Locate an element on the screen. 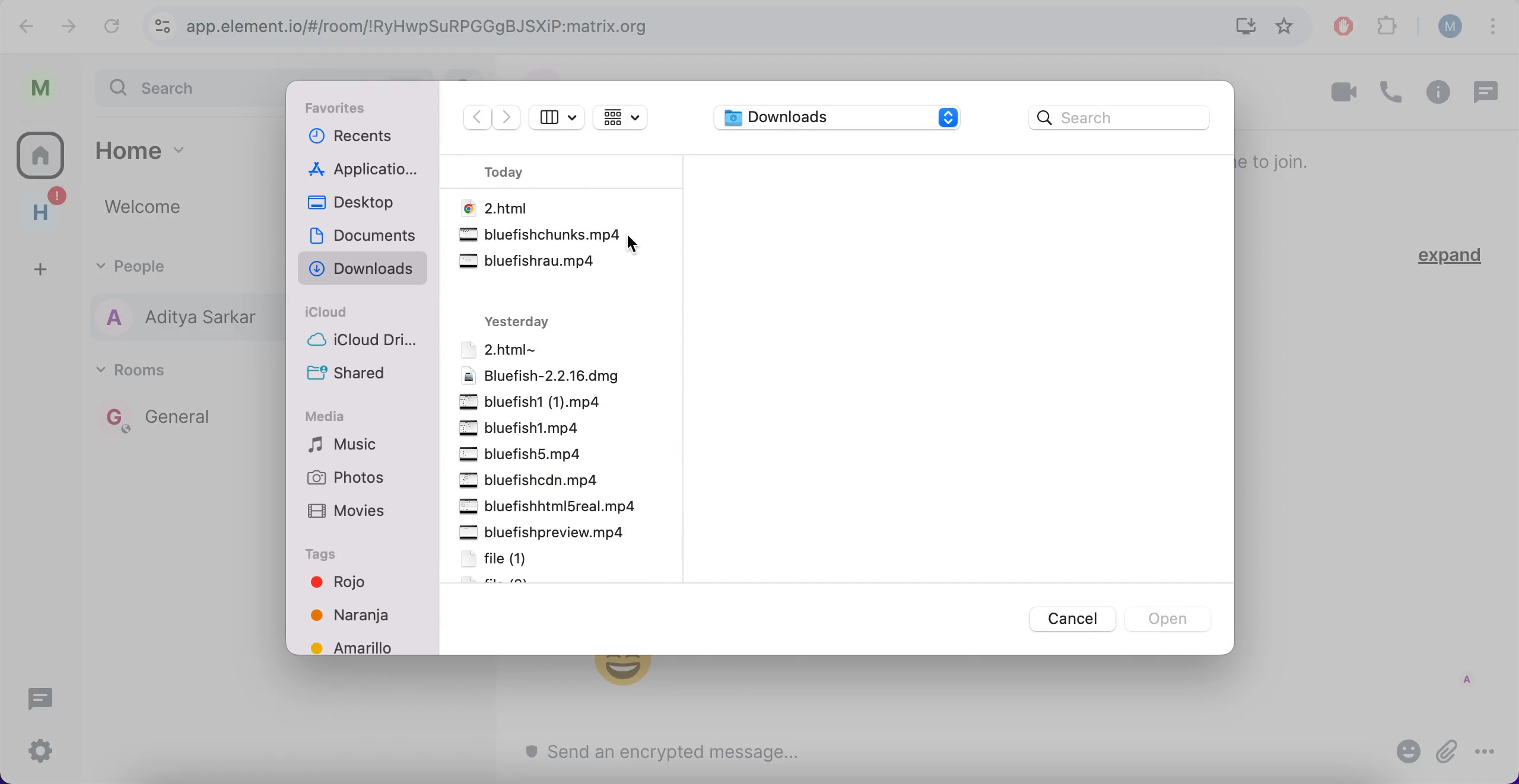  tags is located at coordinates (324, 554).